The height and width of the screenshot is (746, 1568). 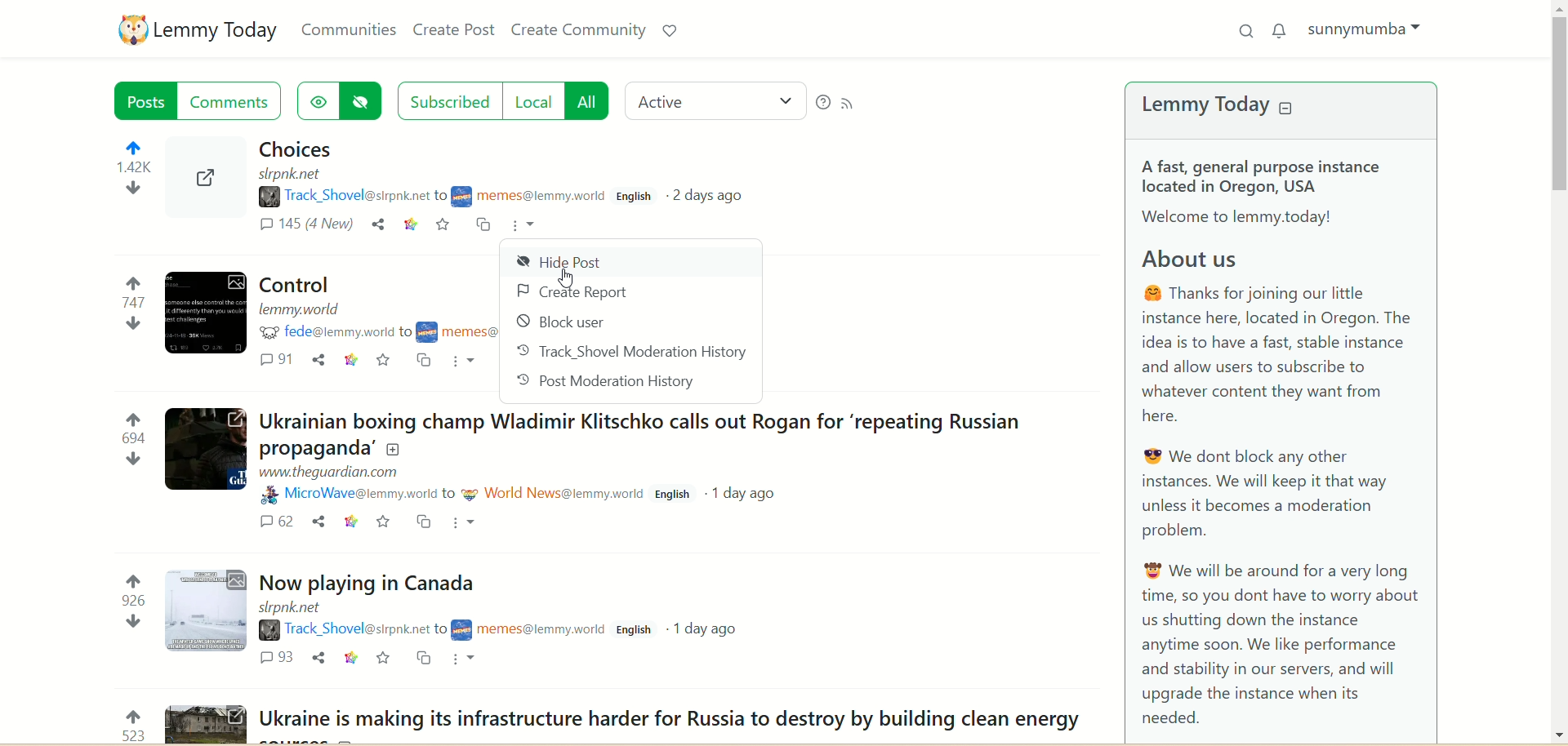 What do you see at coordinates (565, 278) in the screenshot?
I see `pointer(clicked hide post)` at bounding box center [565, 278].